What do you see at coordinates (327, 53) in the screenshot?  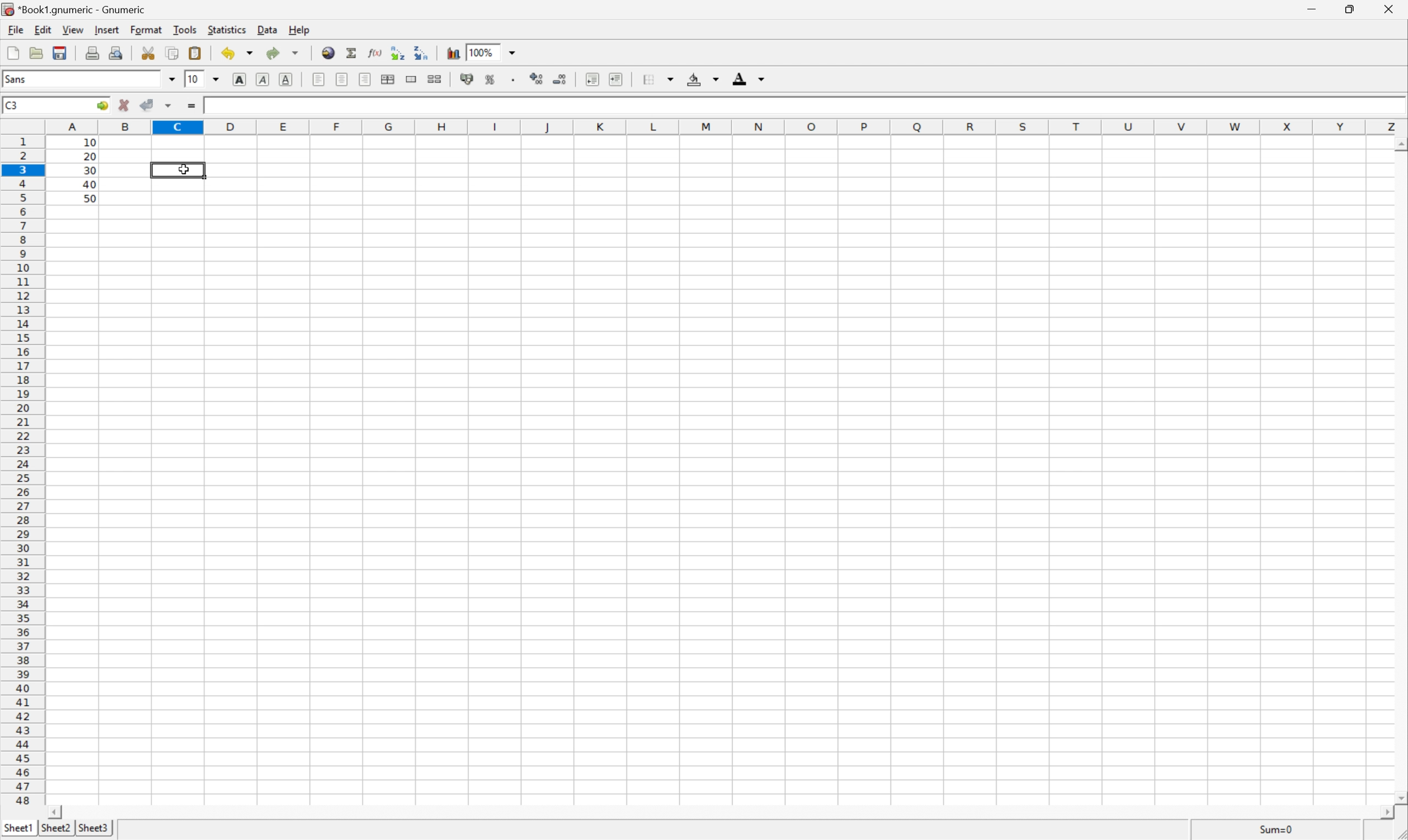 I see `Insert a hyperlink` at bounding box center [327, 53].